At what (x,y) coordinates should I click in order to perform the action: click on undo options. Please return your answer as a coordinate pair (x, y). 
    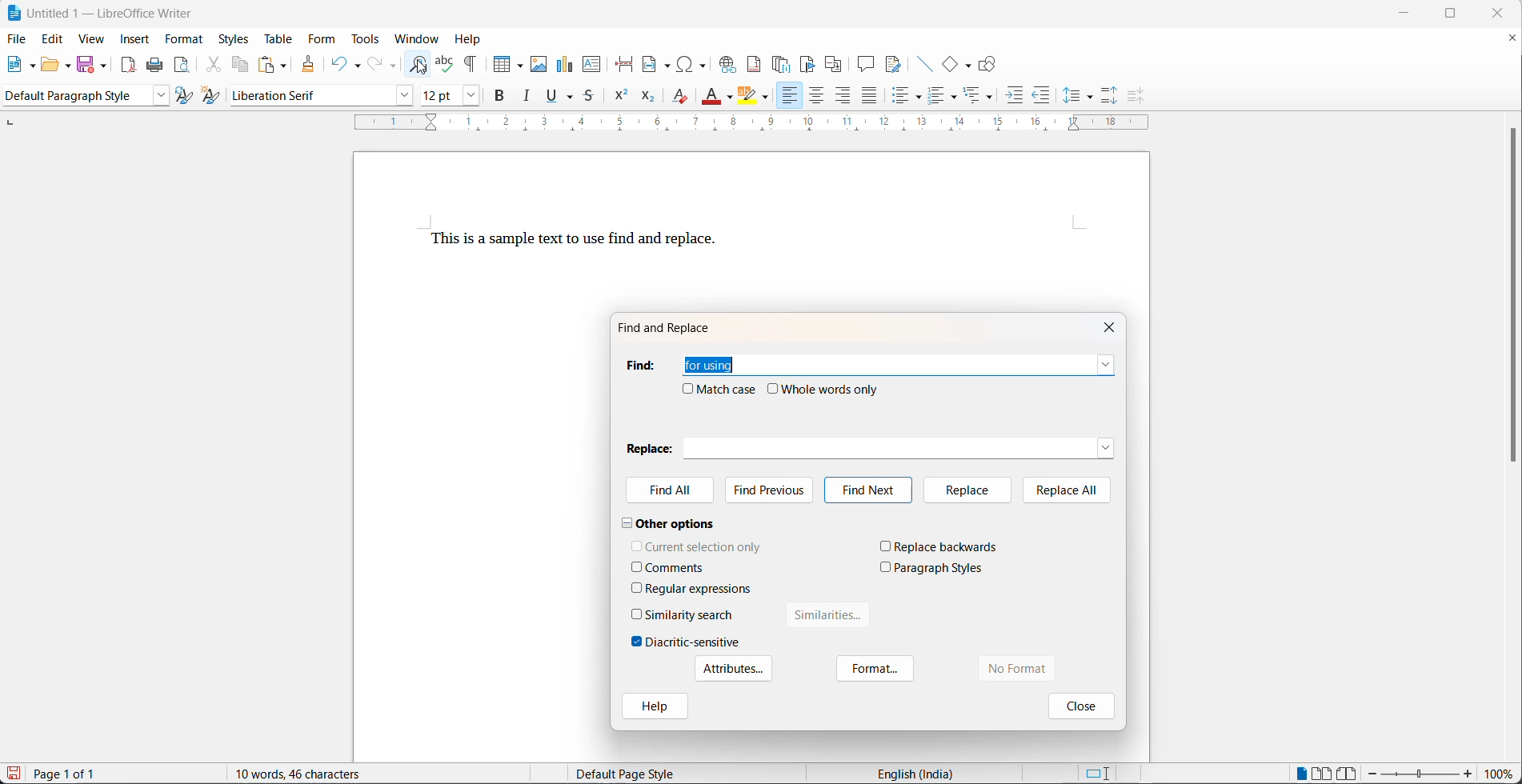
    Looking at the image, I should click on (356, 64).